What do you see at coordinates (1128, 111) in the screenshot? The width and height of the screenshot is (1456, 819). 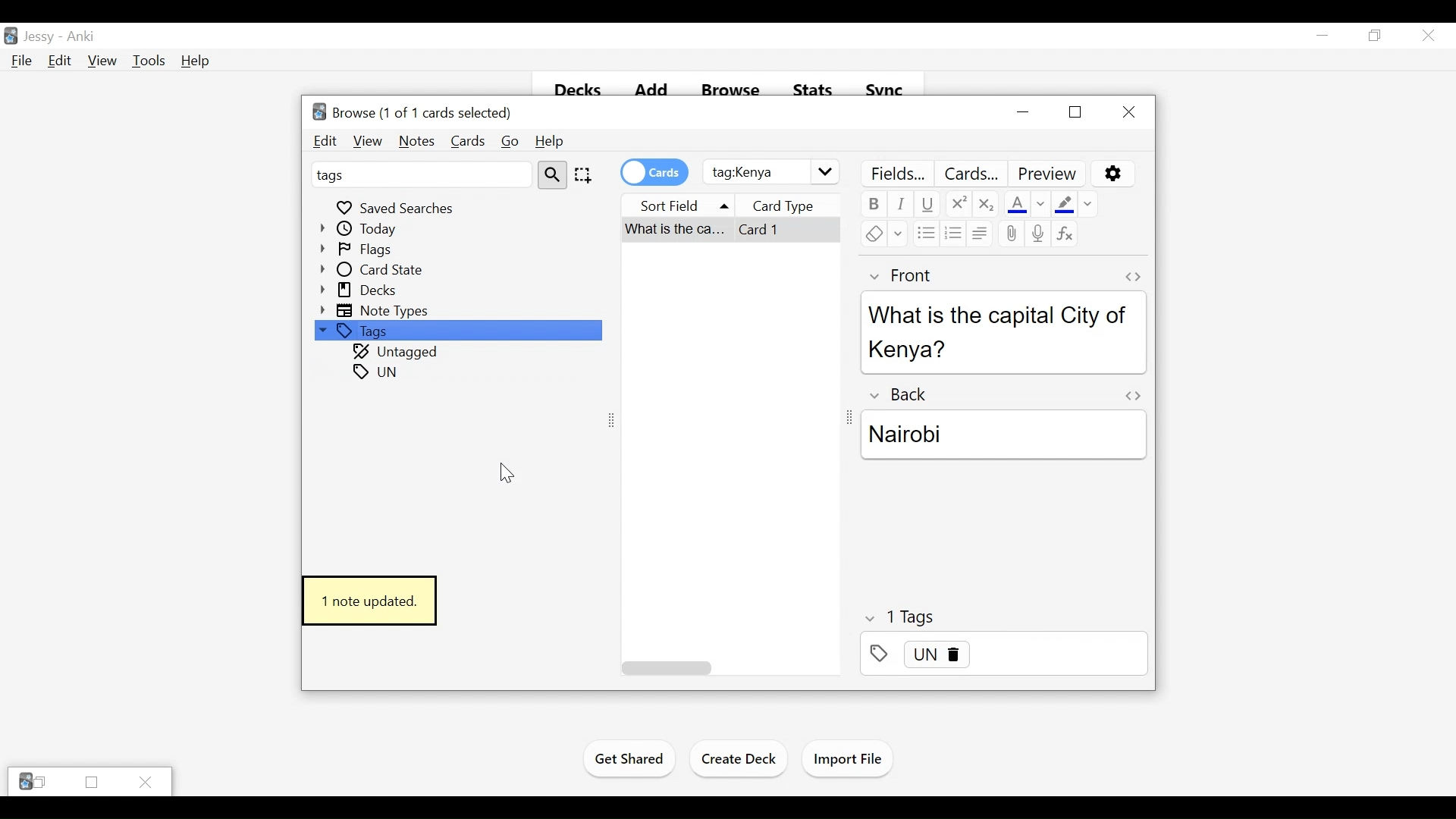 I see `Close` at bounding box center [1128, 111].